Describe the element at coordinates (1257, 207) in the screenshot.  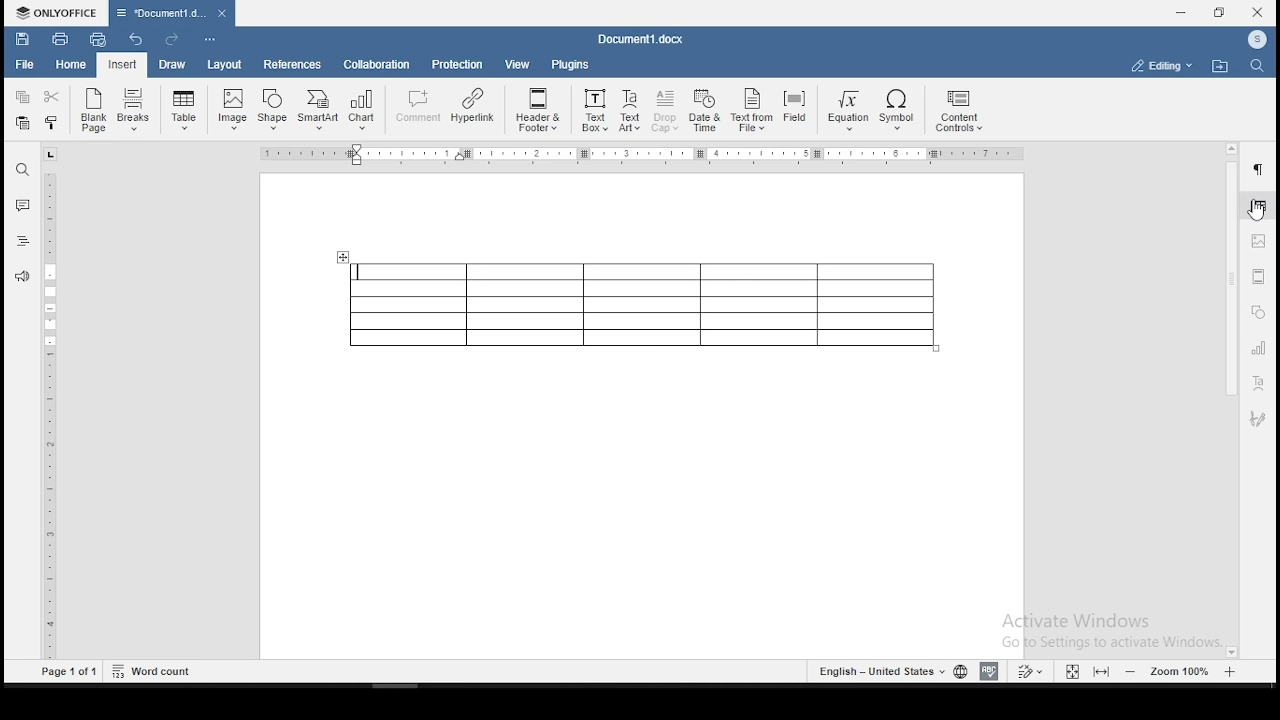
I see `table properties` at that location.